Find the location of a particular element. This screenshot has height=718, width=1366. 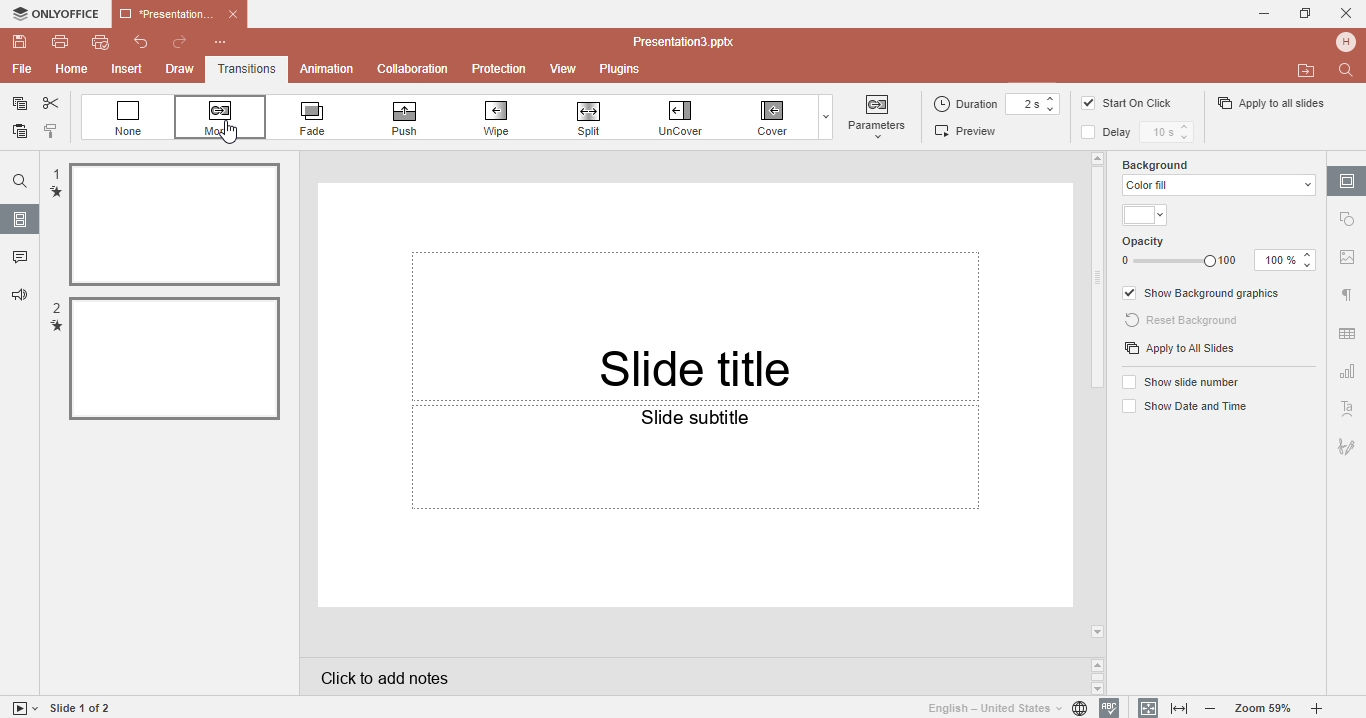

arrow up is located at coordinates (1097, 157).